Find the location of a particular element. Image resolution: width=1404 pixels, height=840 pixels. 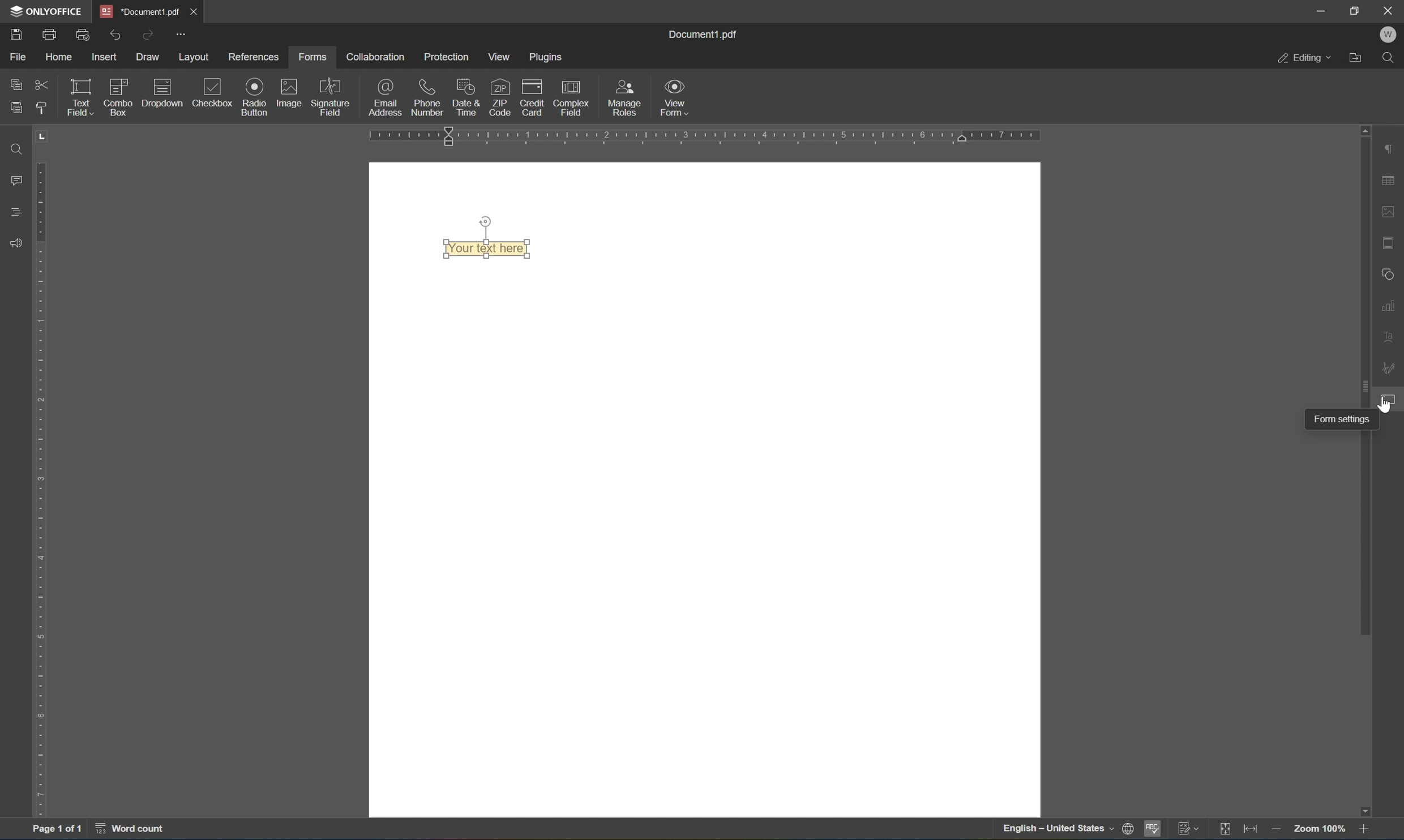

page 1 of 1 is located at coordinates (57, 831).